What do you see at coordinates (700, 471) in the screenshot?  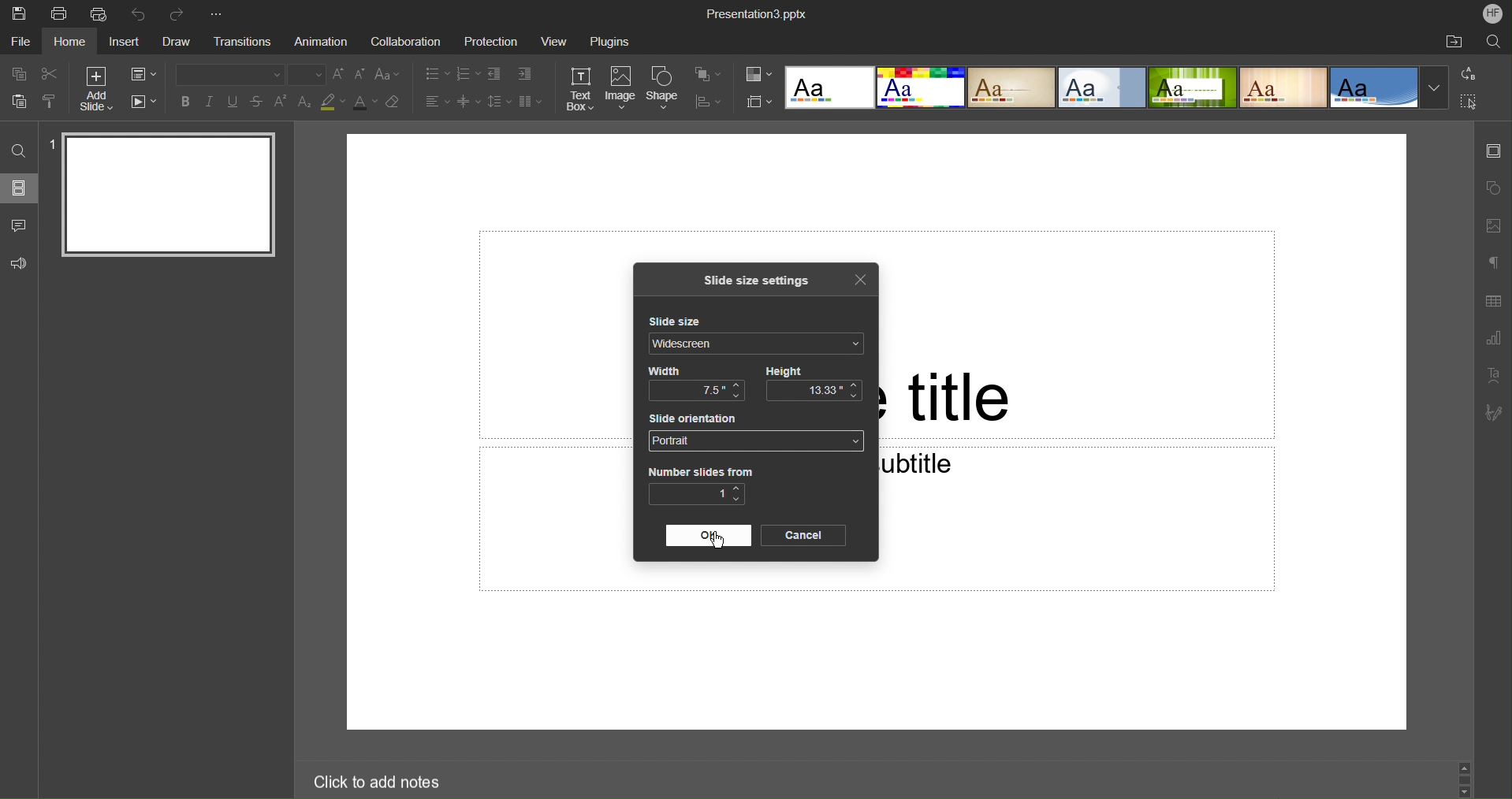 I see `Number slides from` at bounding box center [700, 471].